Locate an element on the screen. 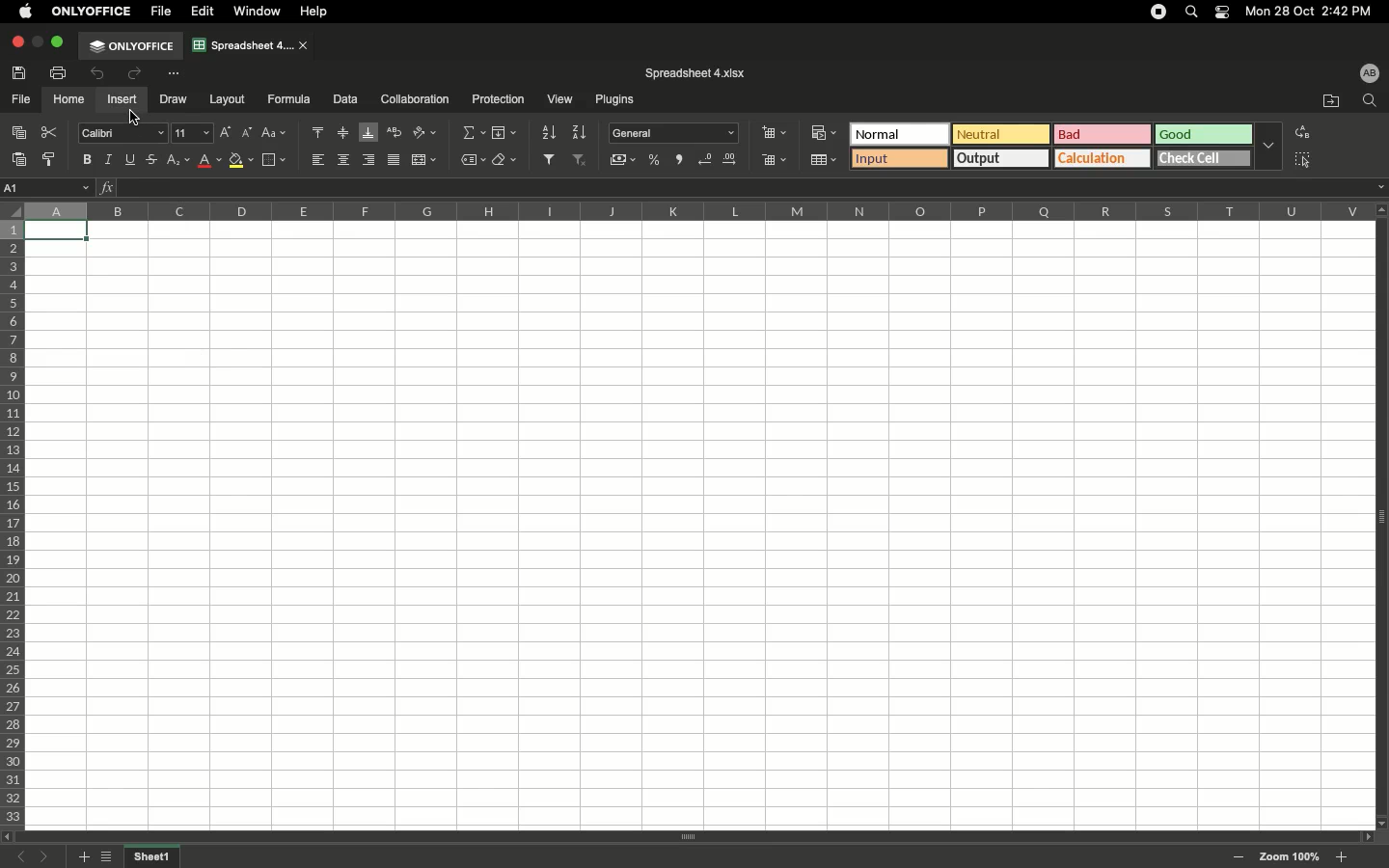 Image resolution: width=1389 pixels, height=868 pixels. Insert cells is located at coordinates (776, 132).